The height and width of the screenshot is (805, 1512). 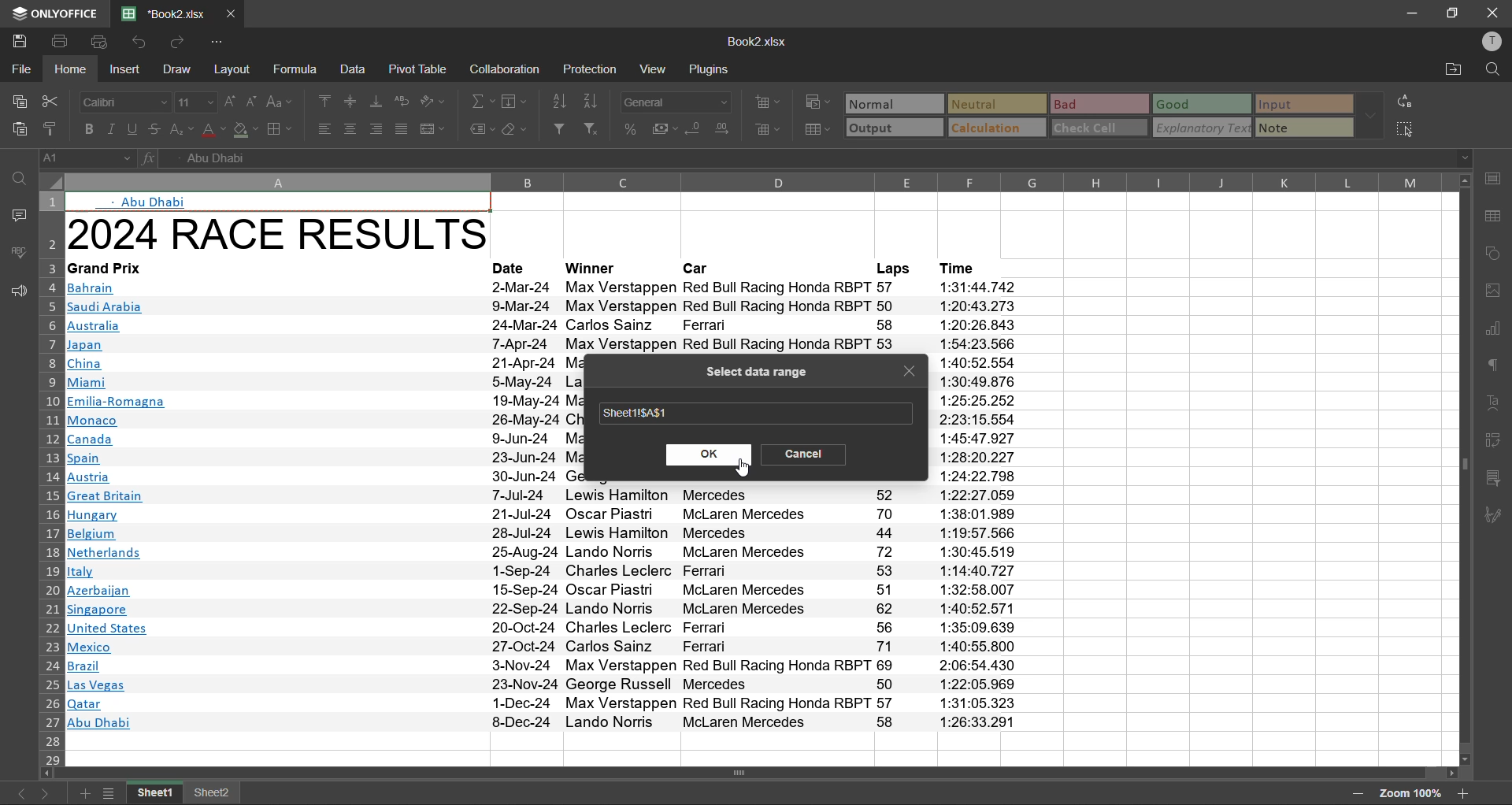 I want to click on signature, so click(x=1490, y=518).